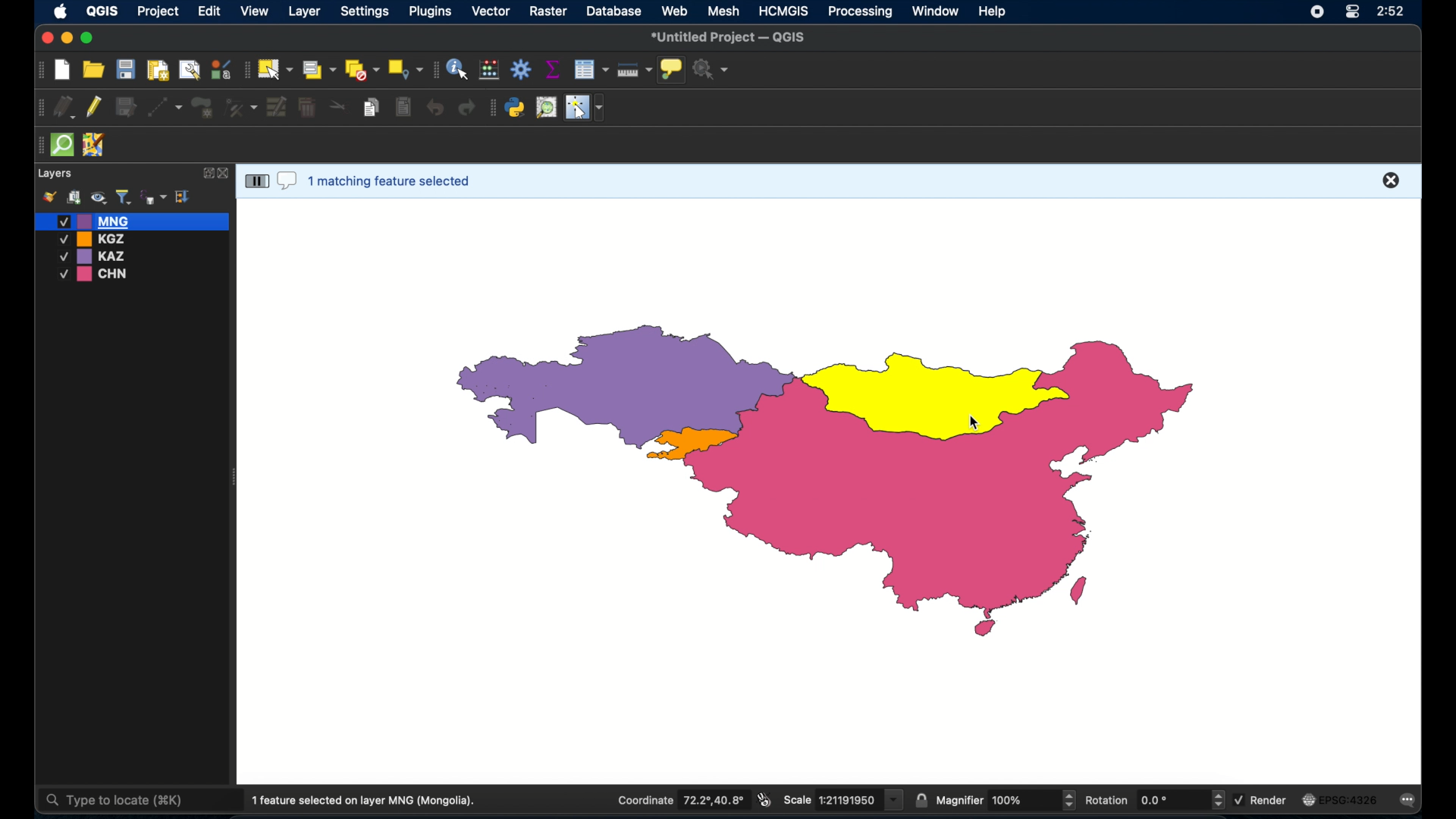  I want to click on jsom remote, so click(96, 146).